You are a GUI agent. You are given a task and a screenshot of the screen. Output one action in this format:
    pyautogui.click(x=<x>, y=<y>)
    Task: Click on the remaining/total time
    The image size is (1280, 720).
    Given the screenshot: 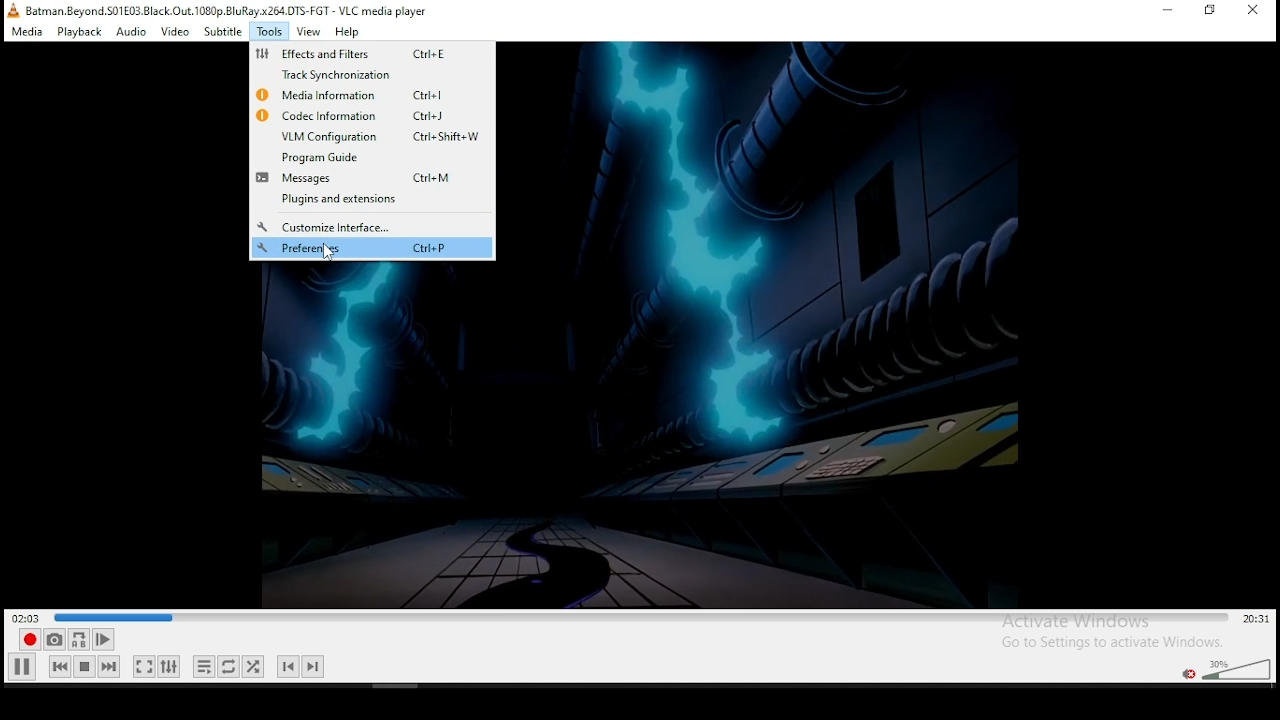 What is the action you would take?
    pyautogui.click(x=1257, y=619)
    